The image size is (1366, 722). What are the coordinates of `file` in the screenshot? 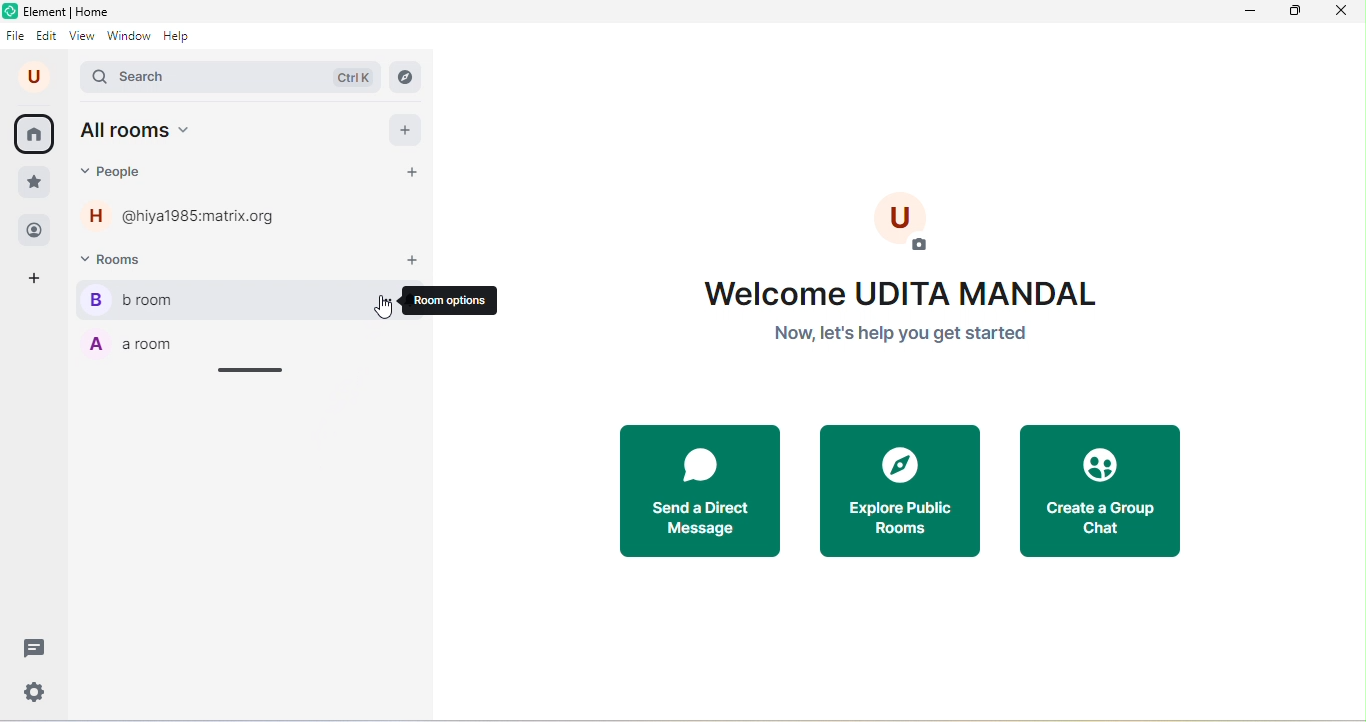 It's located at (14, 36).